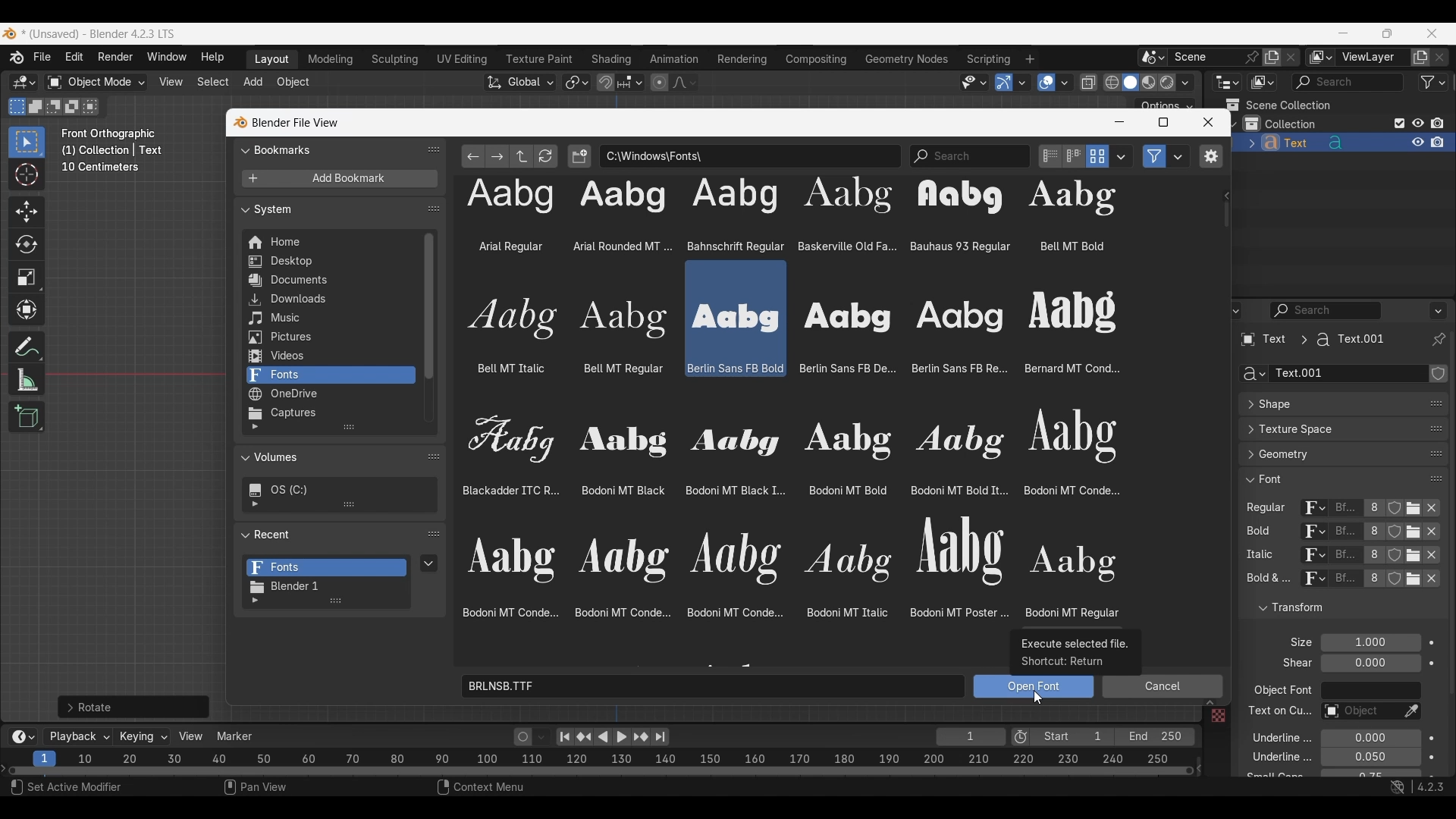 Image resolution: width=1456 pixels, height=819 pixels. Describe the element at coordinates (434, 209) in the screenshot. I see `Change order in list` at that location.